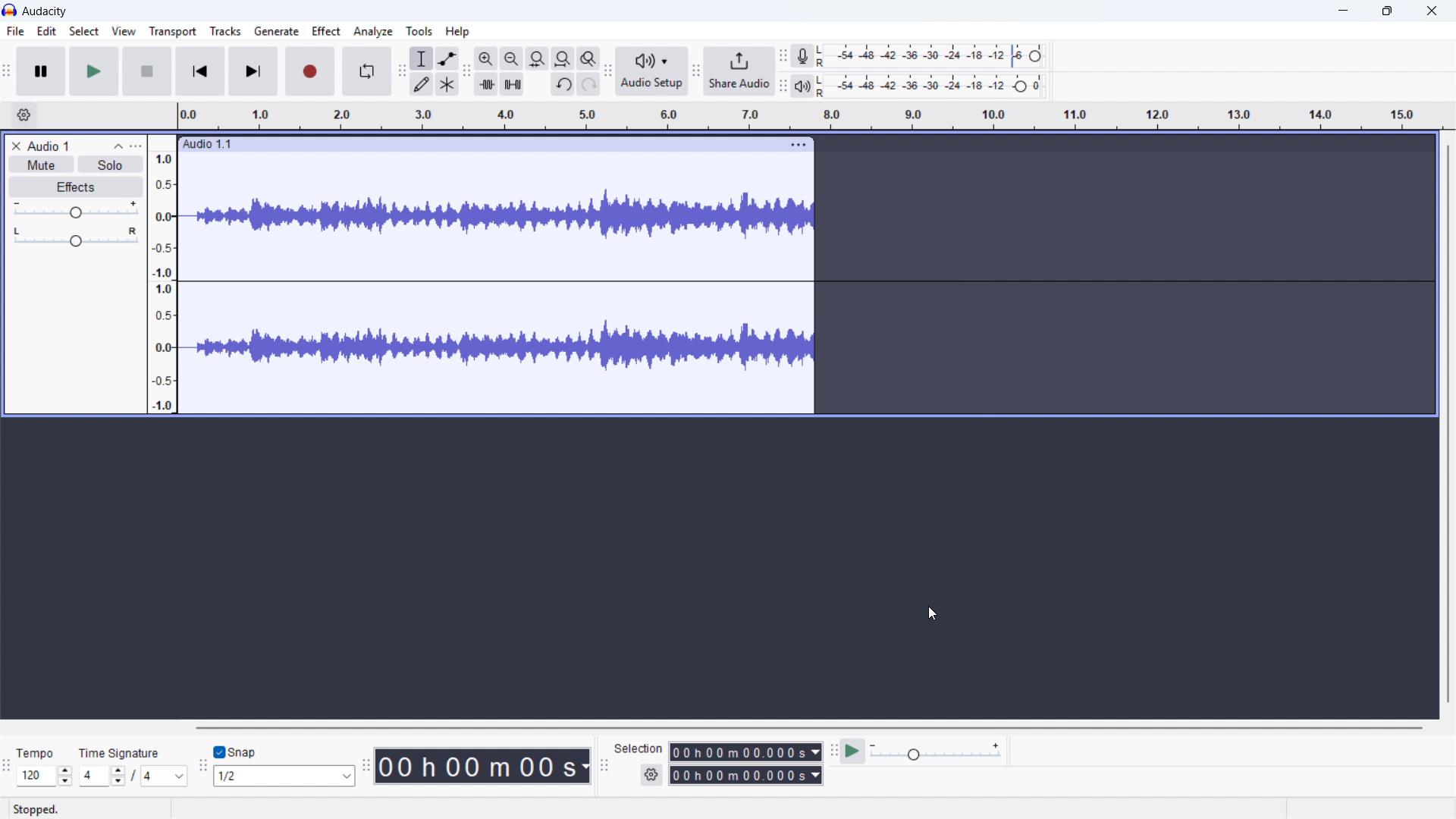  Describe the element at coordinates (15, 33) in the screenshot. I see `file ` at that location.